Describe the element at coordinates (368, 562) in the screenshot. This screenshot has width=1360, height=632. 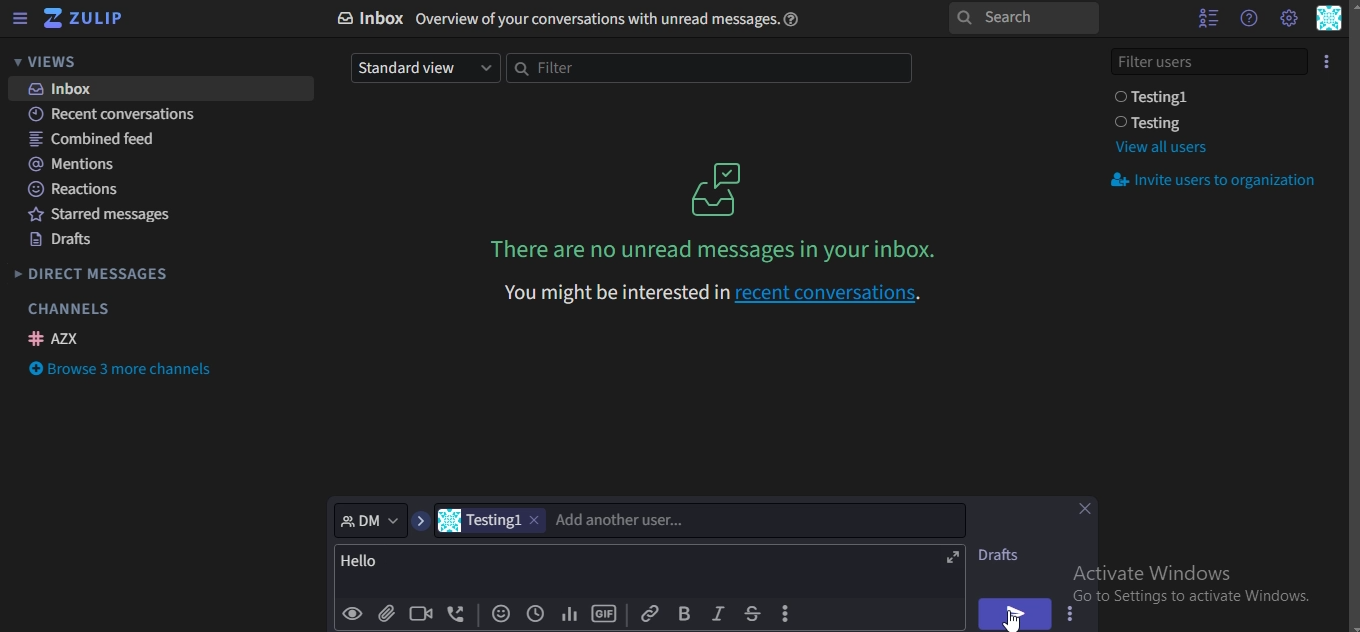
I see `hello` at that location.